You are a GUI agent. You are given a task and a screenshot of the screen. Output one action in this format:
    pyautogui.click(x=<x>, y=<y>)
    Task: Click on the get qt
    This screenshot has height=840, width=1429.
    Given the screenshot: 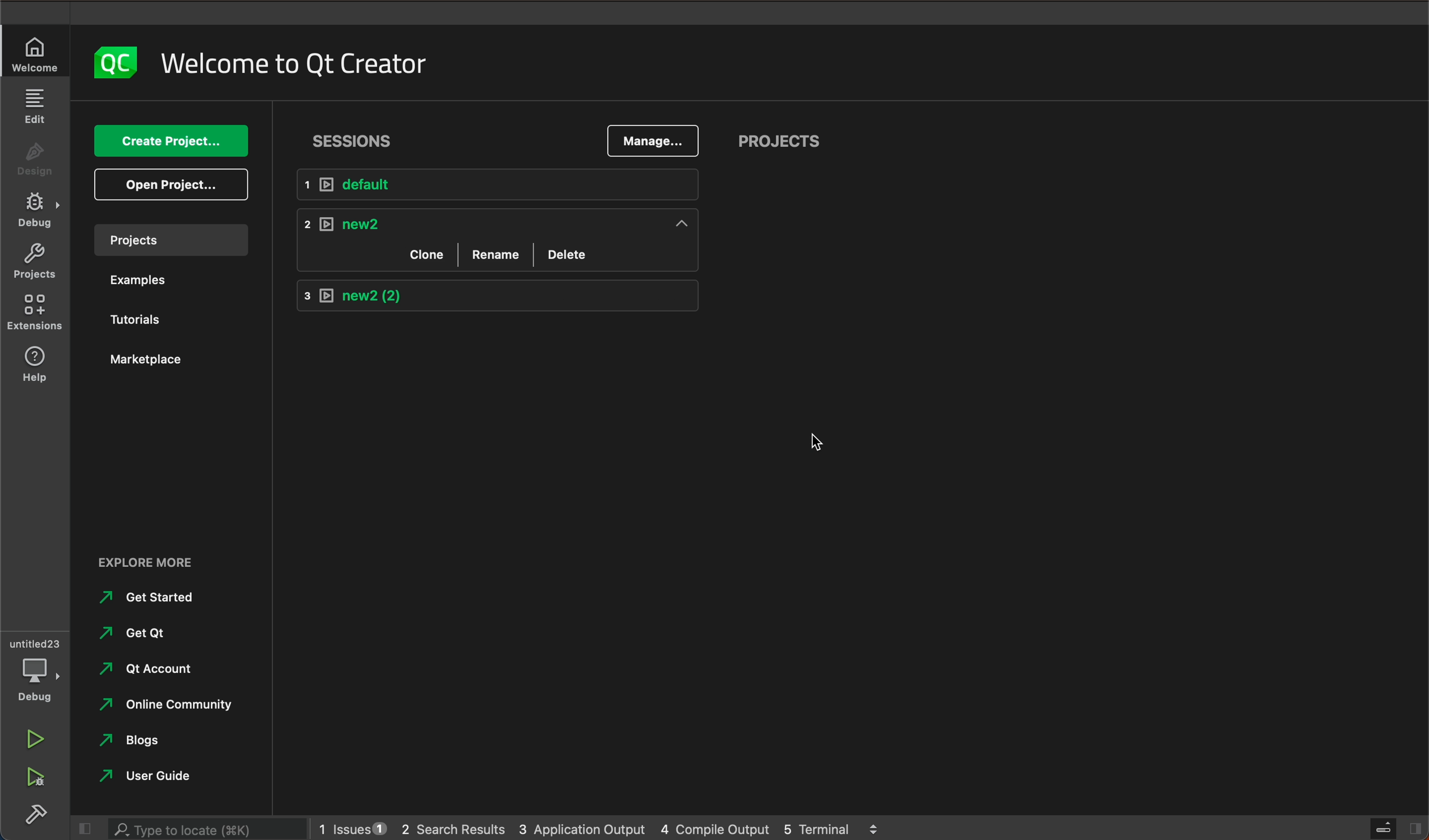 What is the action you would take?
    pyautogui.click(x=151, y=634)
    